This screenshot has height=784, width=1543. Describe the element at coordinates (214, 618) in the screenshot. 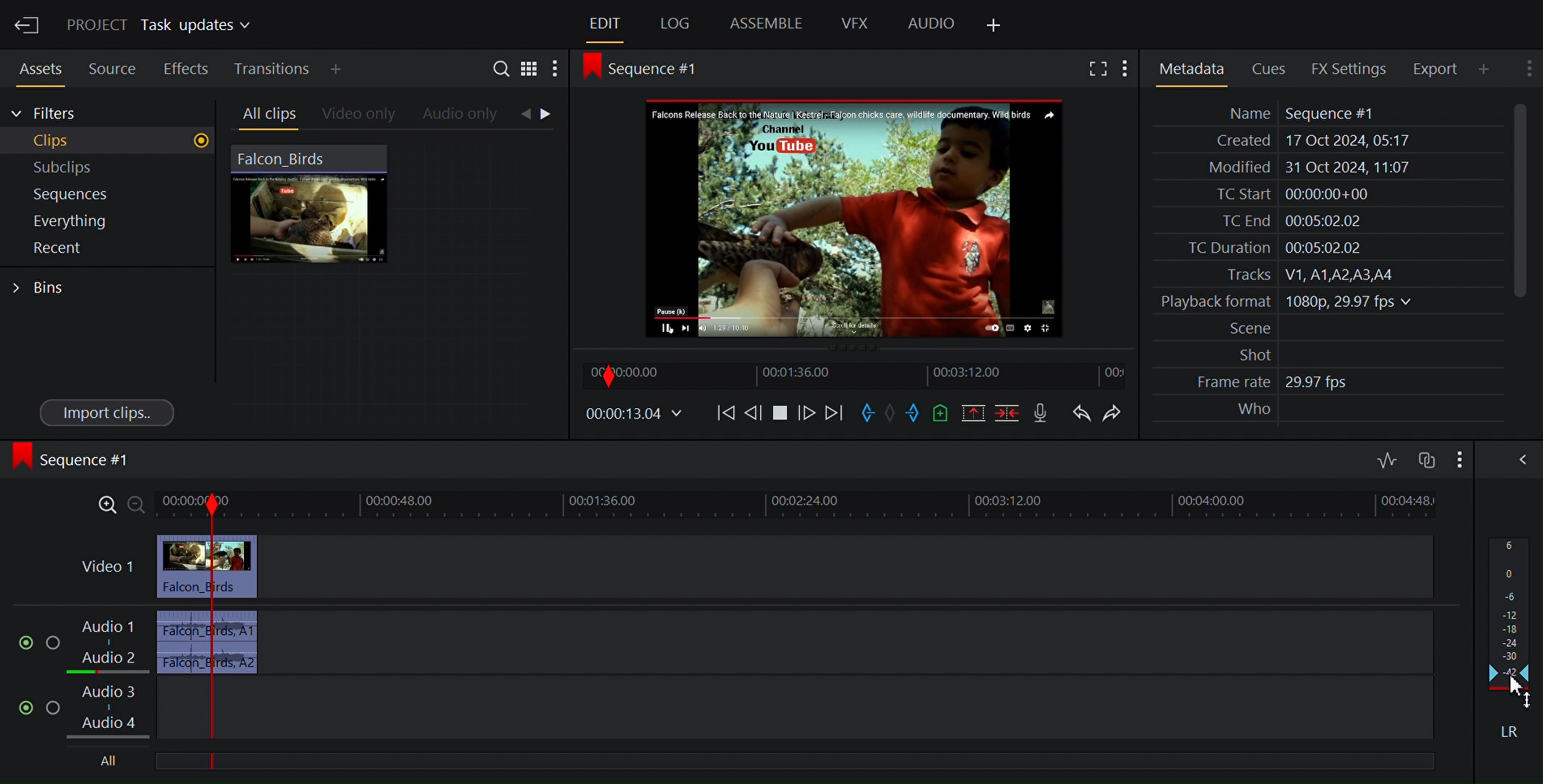

I see `Timeline indicator` at that location.